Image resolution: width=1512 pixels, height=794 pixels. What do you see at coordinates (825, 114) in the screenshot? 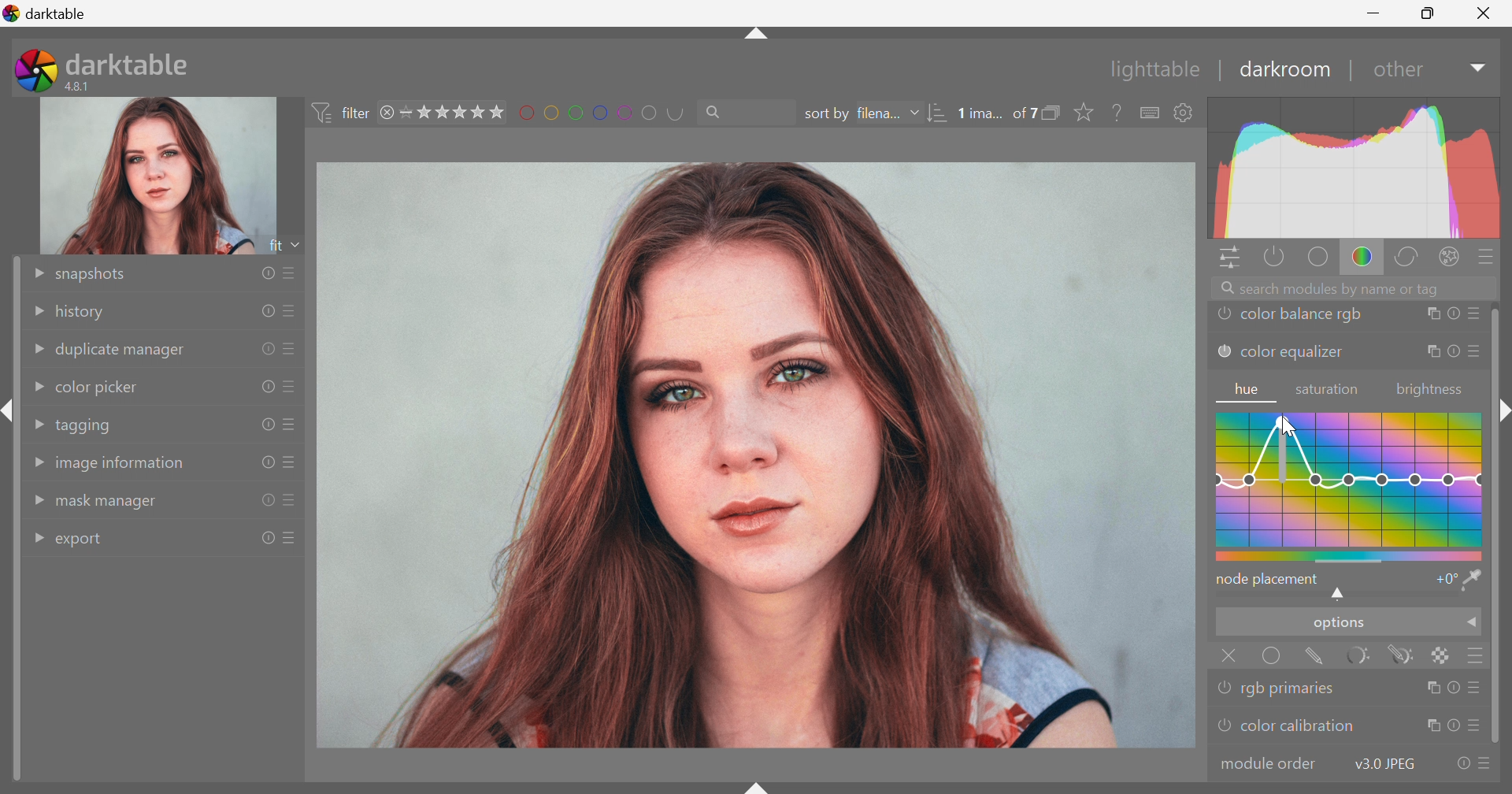
I see `sort by` at bounding box center [825, 114].